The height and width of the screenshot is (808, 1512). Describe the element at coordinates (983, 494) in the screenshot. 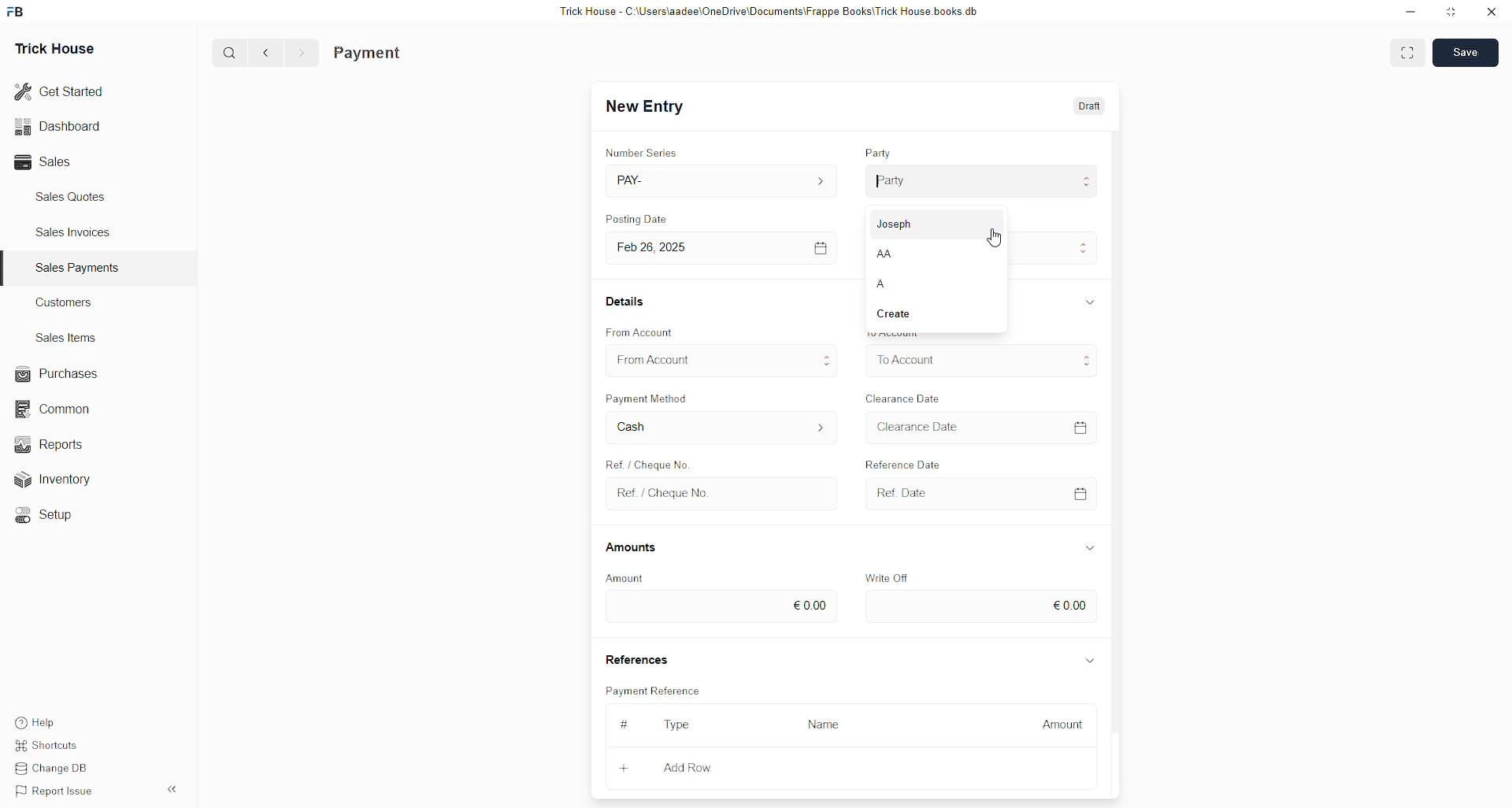

I see `Ref. Date` at that location.